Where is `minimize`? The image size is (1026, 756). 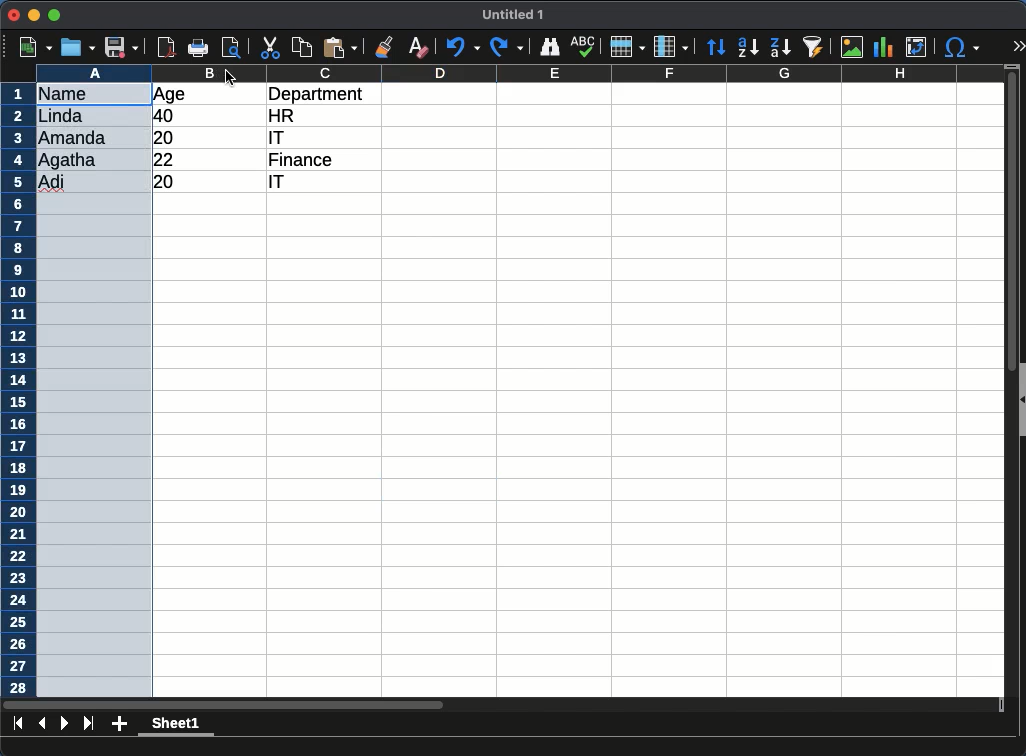 minimize is located at coordinates (35, 14).